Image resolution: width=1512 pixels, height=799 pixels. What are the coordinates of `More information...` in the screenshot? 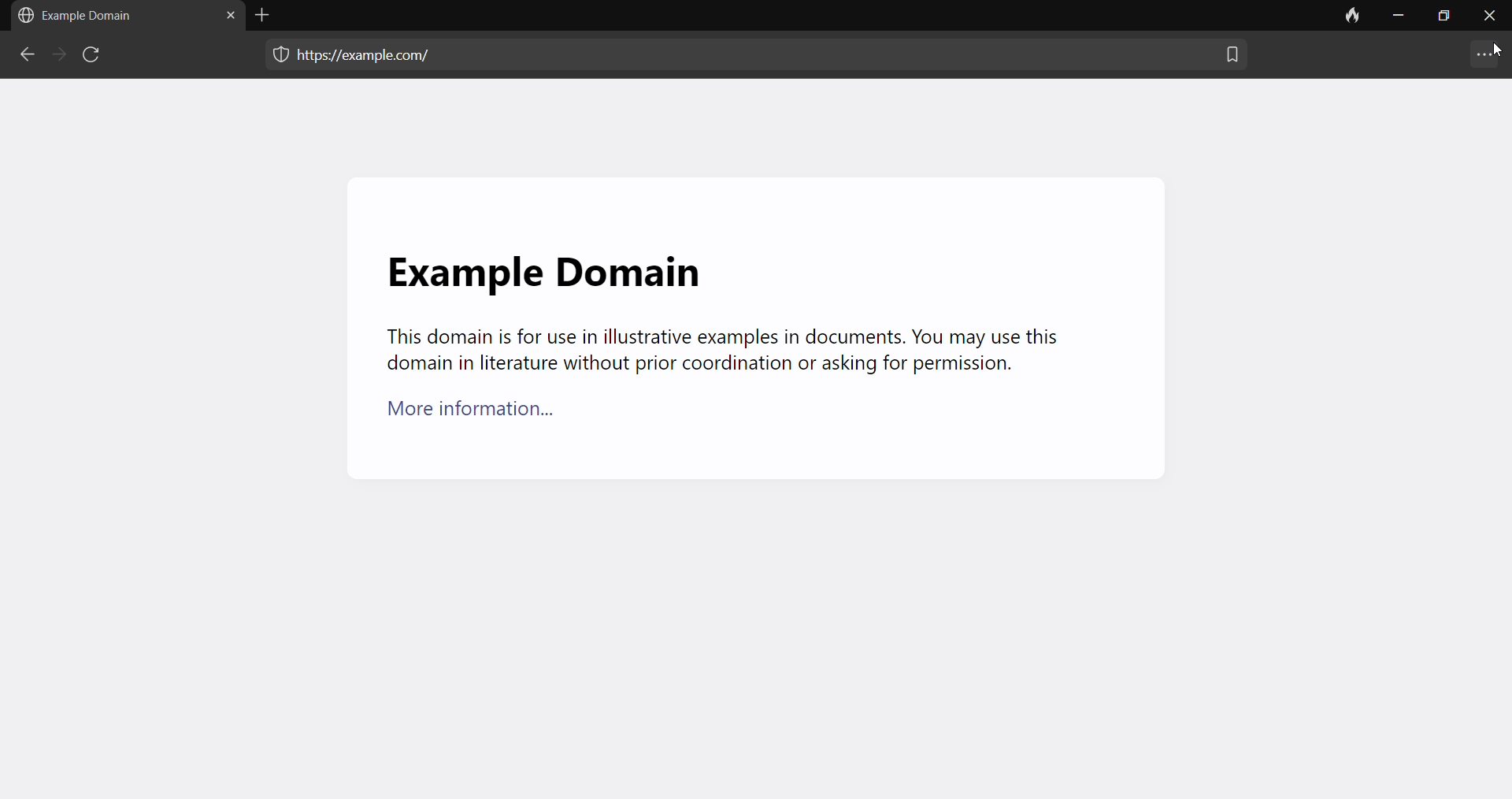 It's located at (481, 415).